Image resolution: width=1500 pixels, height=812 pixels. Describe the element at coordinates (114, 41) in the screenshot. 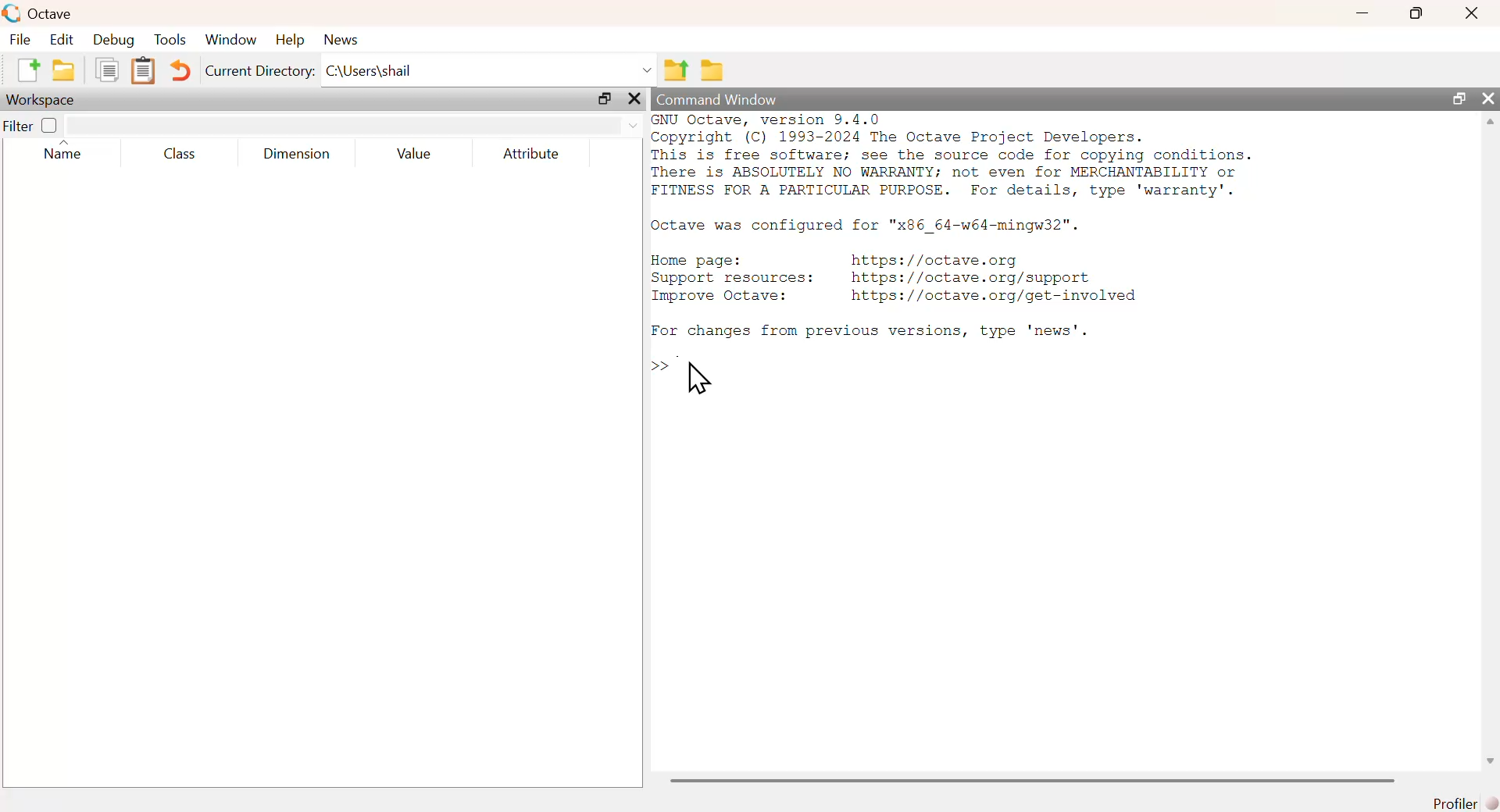

I see `debug` at that location.